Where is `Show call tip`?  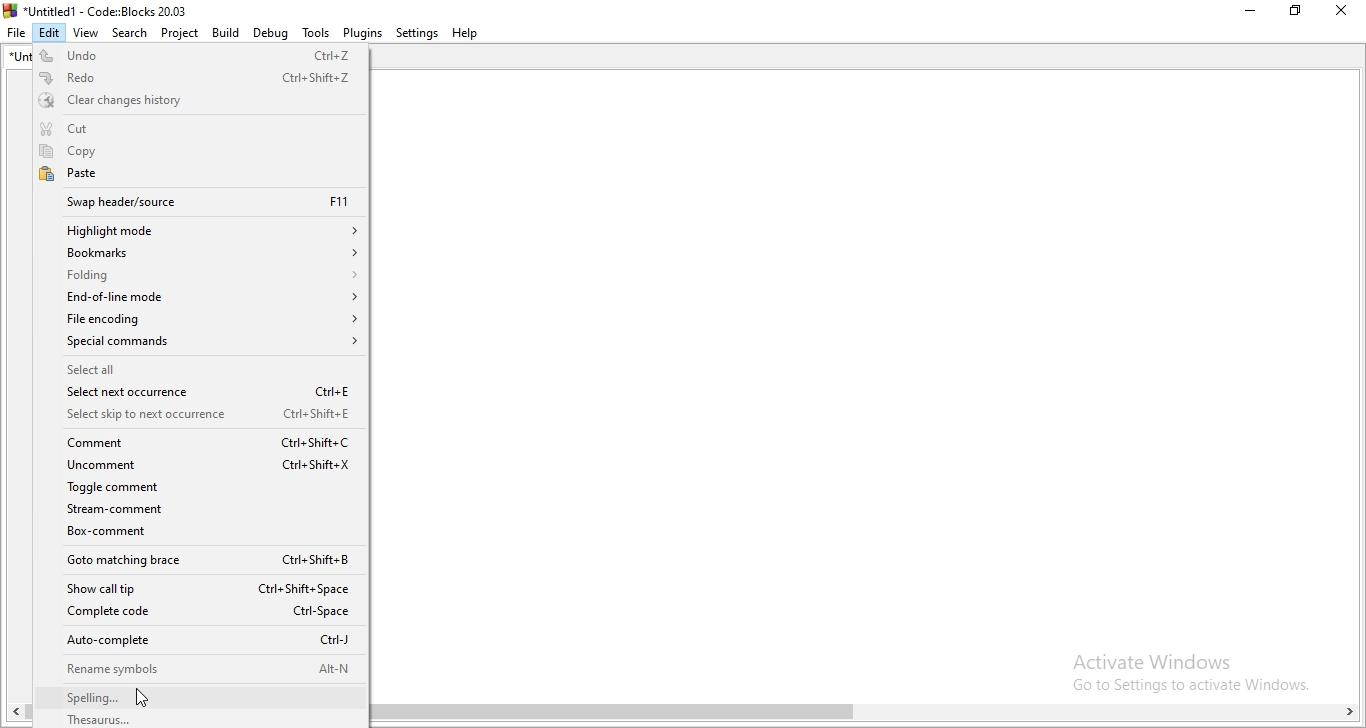 Show call tip is located at coordinates (201, 585).